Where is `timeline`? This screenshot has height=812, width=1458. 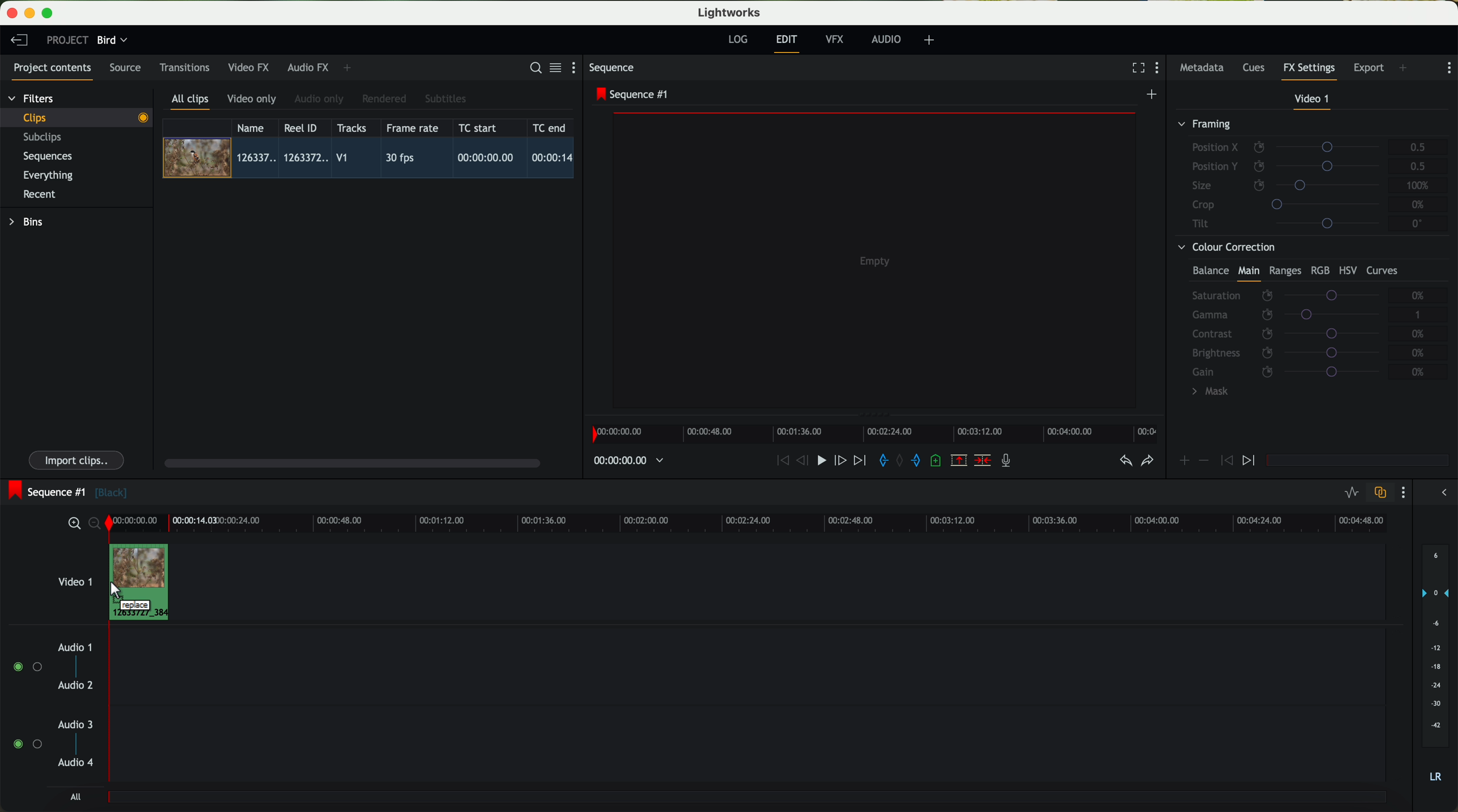 timeline is located at coordinates (778, 522).